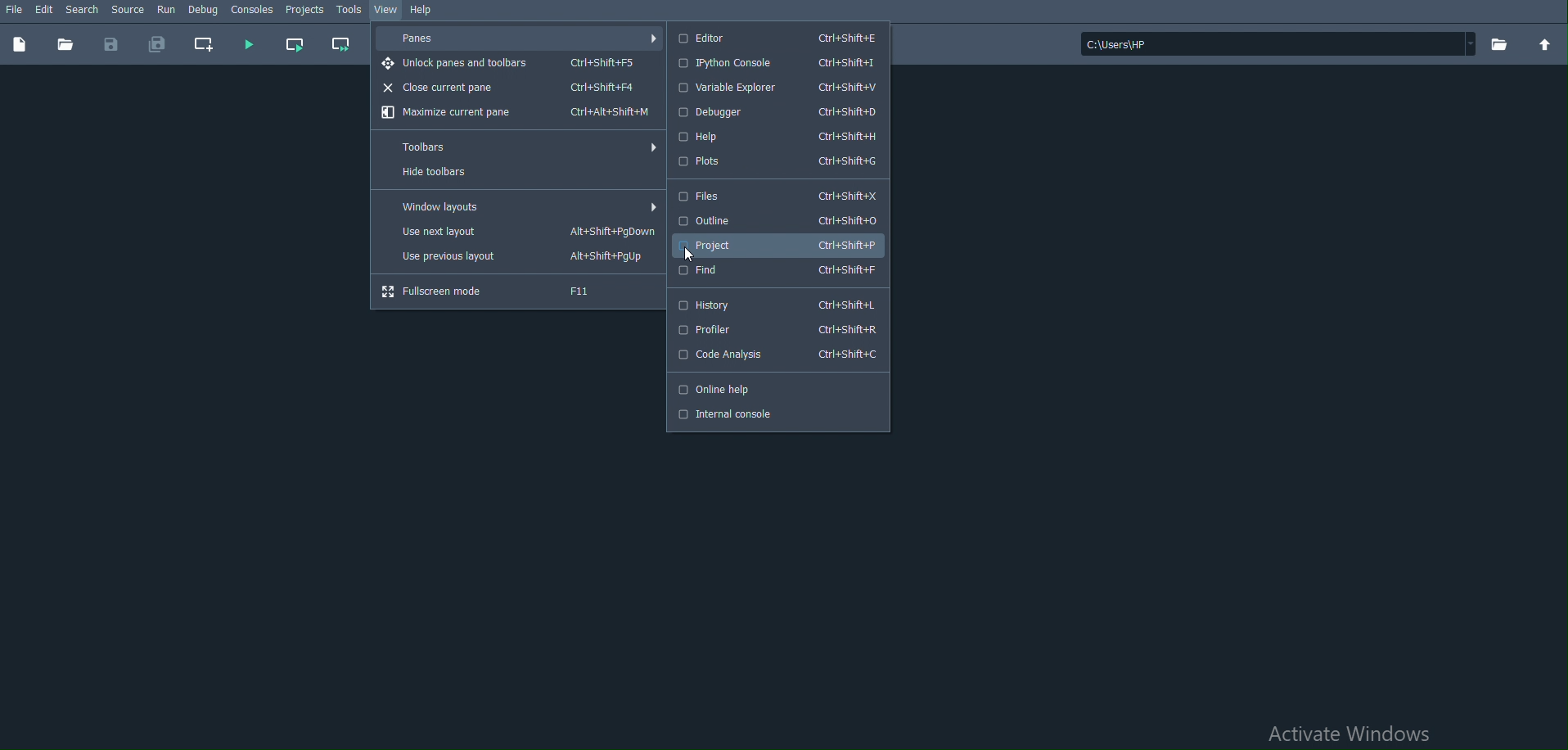 The height and width of the screenshot is (750, 1568). I want to click on Profiler, so click(774, 328).